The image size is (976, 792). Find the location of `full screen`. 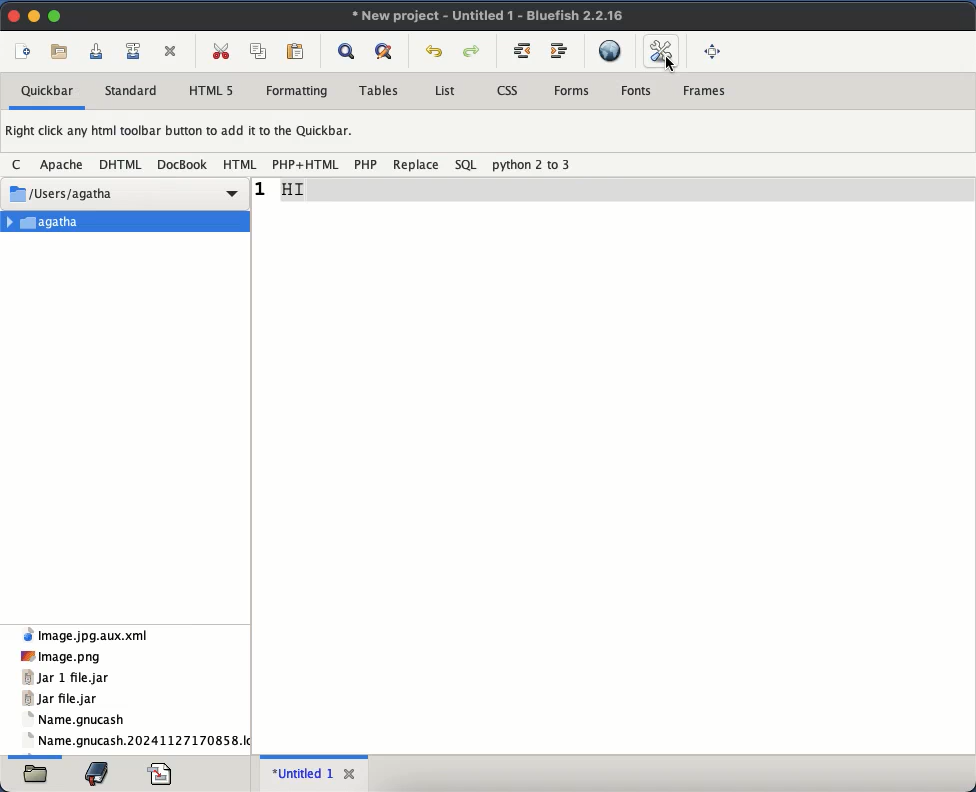

full screen is located at coordinates (712, 50).